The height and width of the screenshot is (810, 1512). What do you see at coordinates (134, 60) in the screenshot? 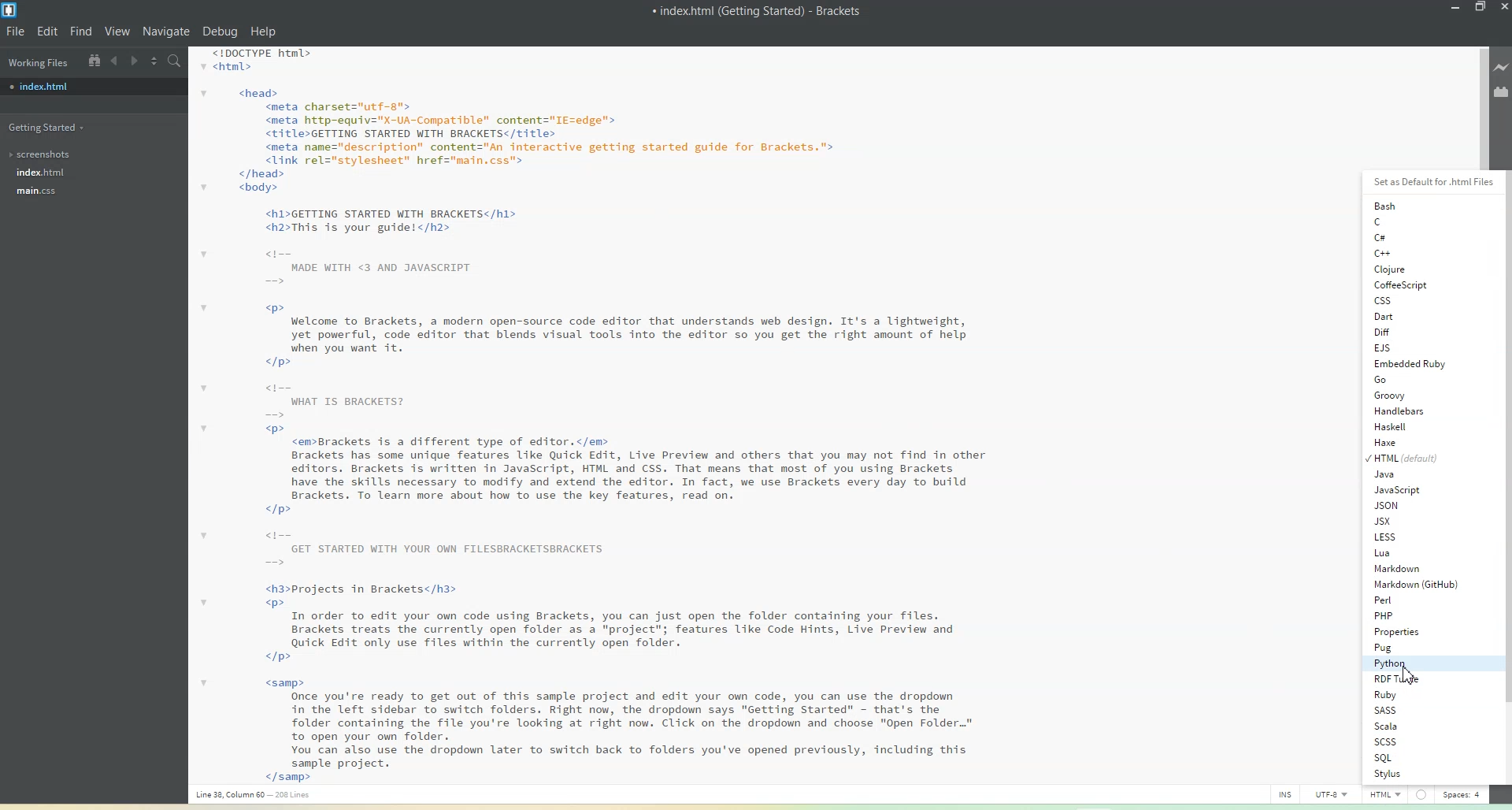
I see `Navigate Forward` at bounding box center [134, 60].